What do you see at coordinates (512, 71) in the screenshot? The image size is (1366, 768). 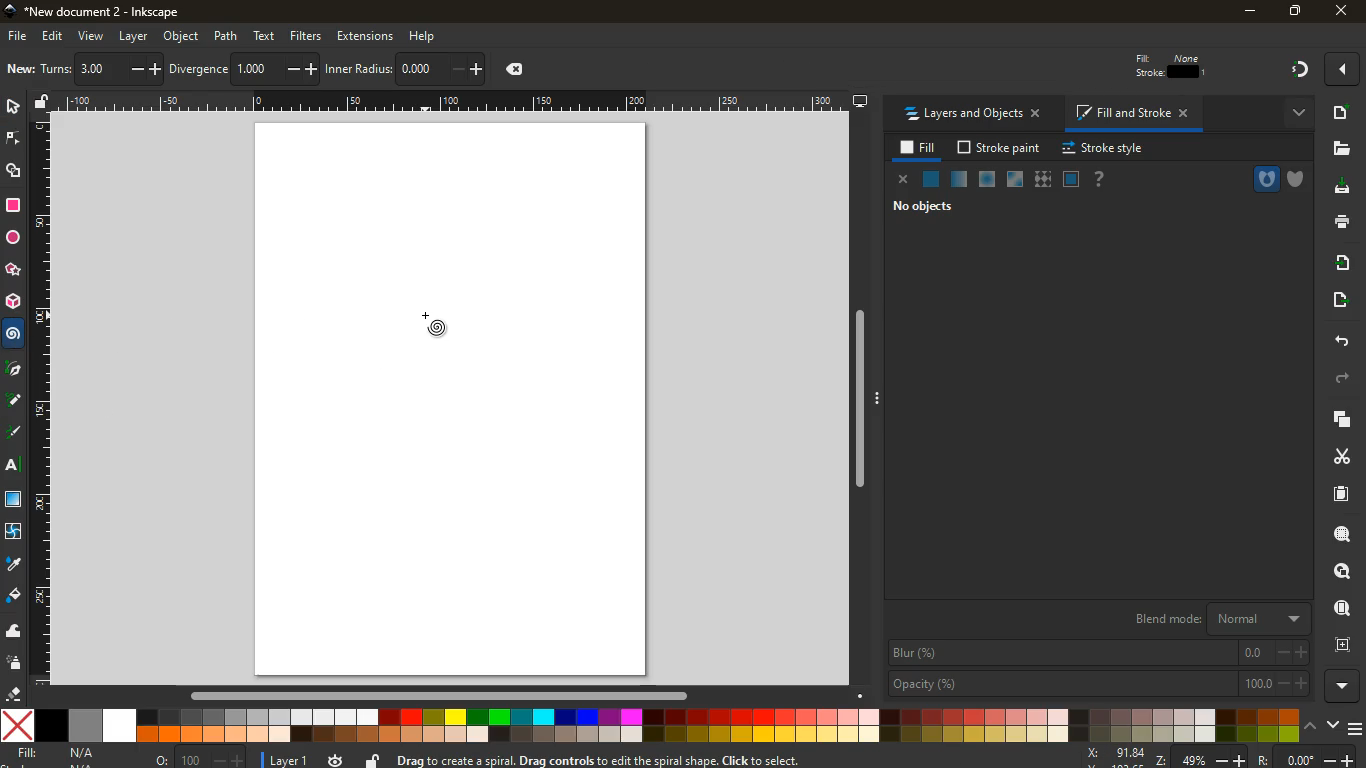 I see `coordinates` at bounding box center [512, 71].